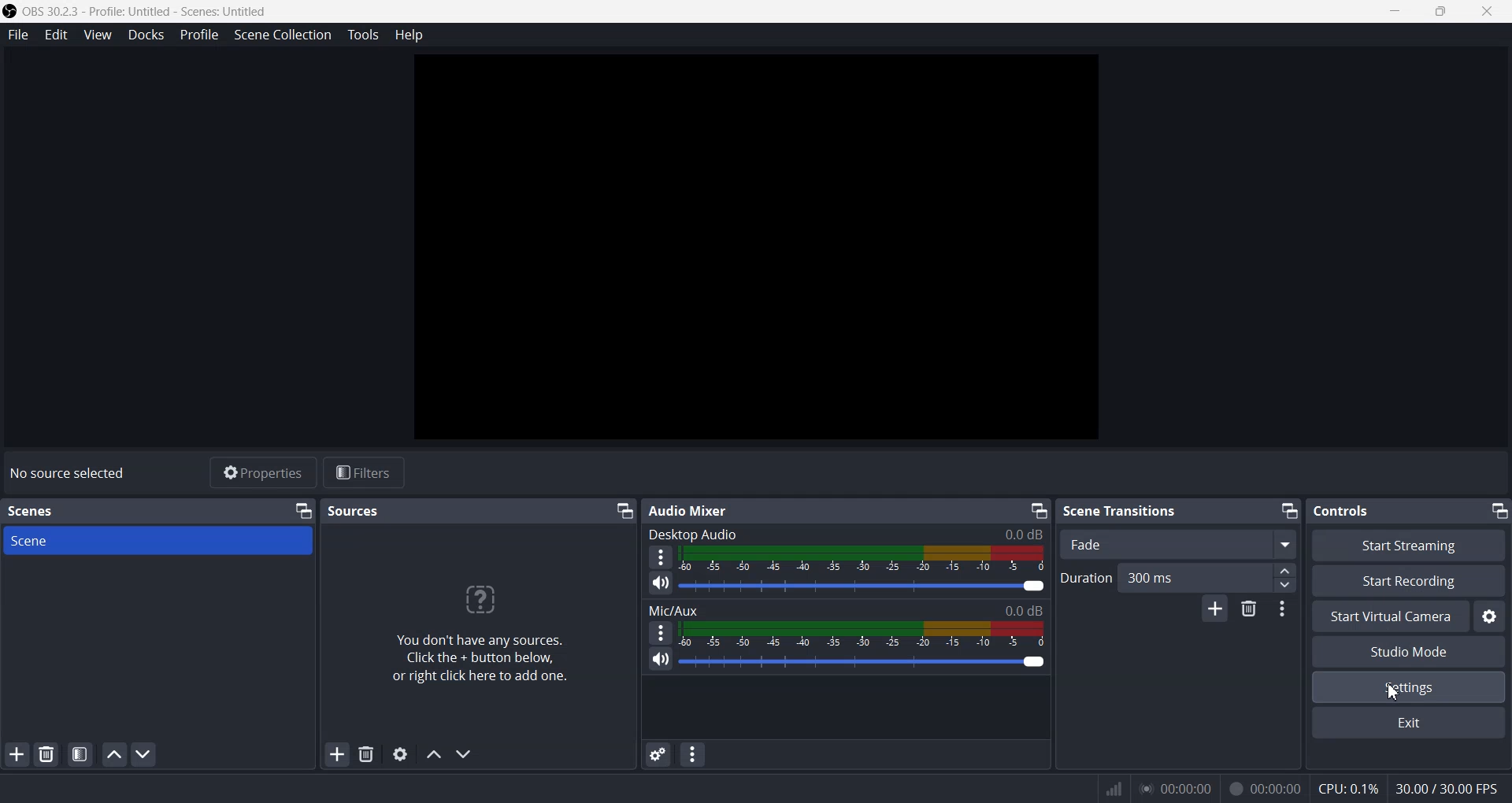  What do you see at coordinates (1409, 723) in the screenshot?
I see `Exit` at bounding box center [1409, 723].